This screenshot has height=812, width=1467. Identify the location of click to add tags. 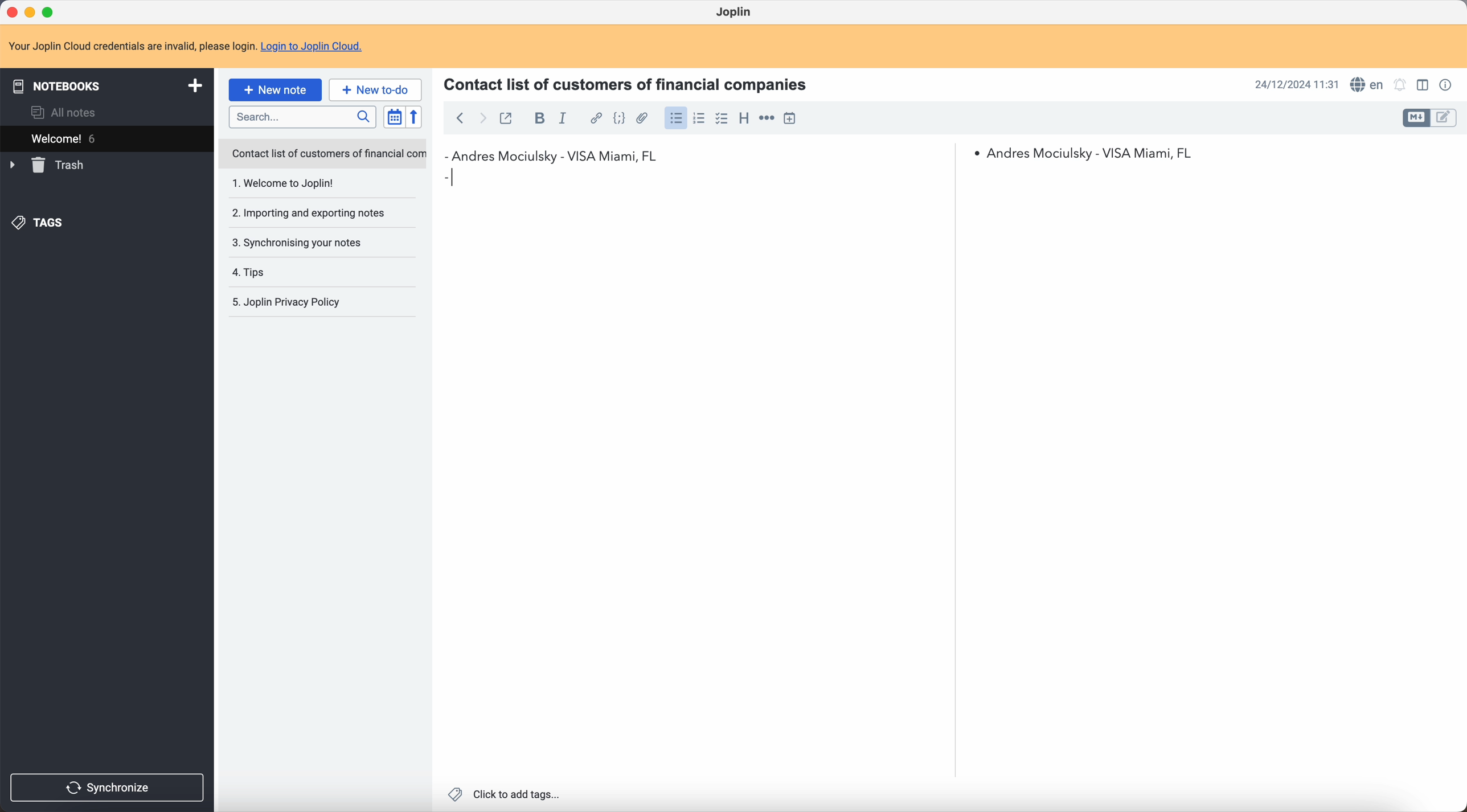
(503, 794).